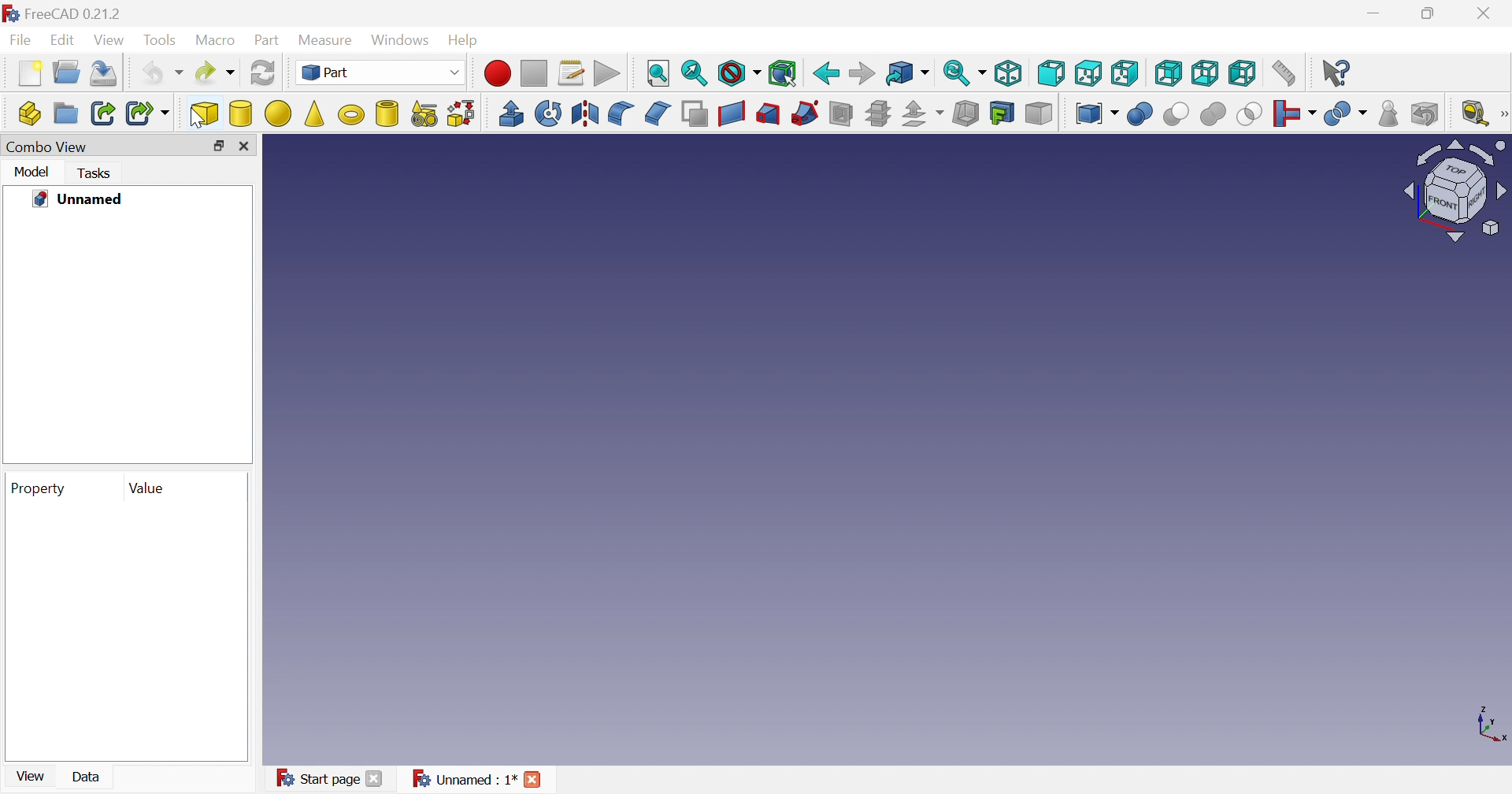 The image size is (1512, 794). Describe the element at coordinates (966, 113) in the screenshot. I see `Thickness` at that location.